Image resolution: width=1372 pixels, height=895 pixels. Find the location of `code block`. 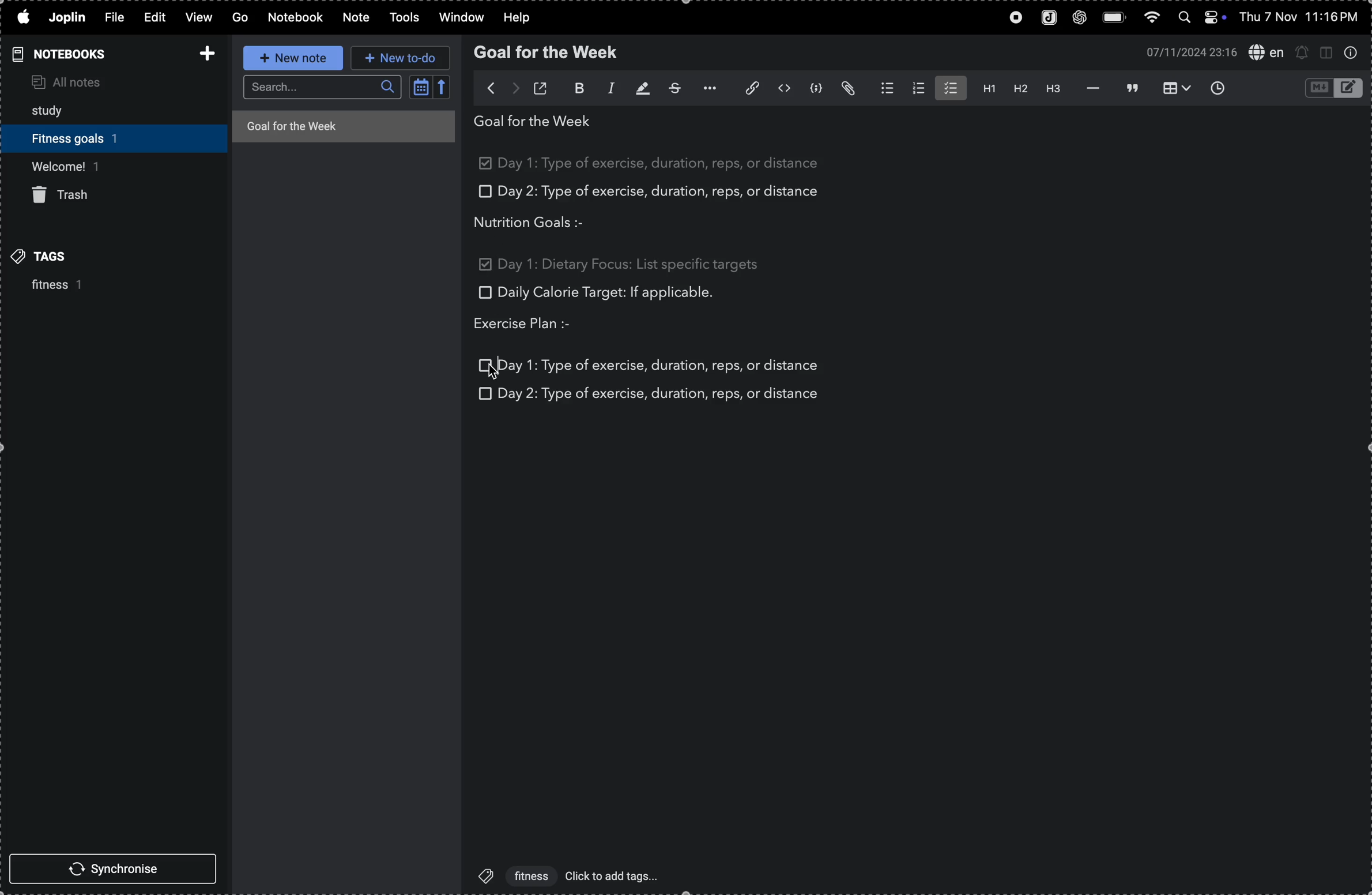

code block is located at coordinates (816, 88).